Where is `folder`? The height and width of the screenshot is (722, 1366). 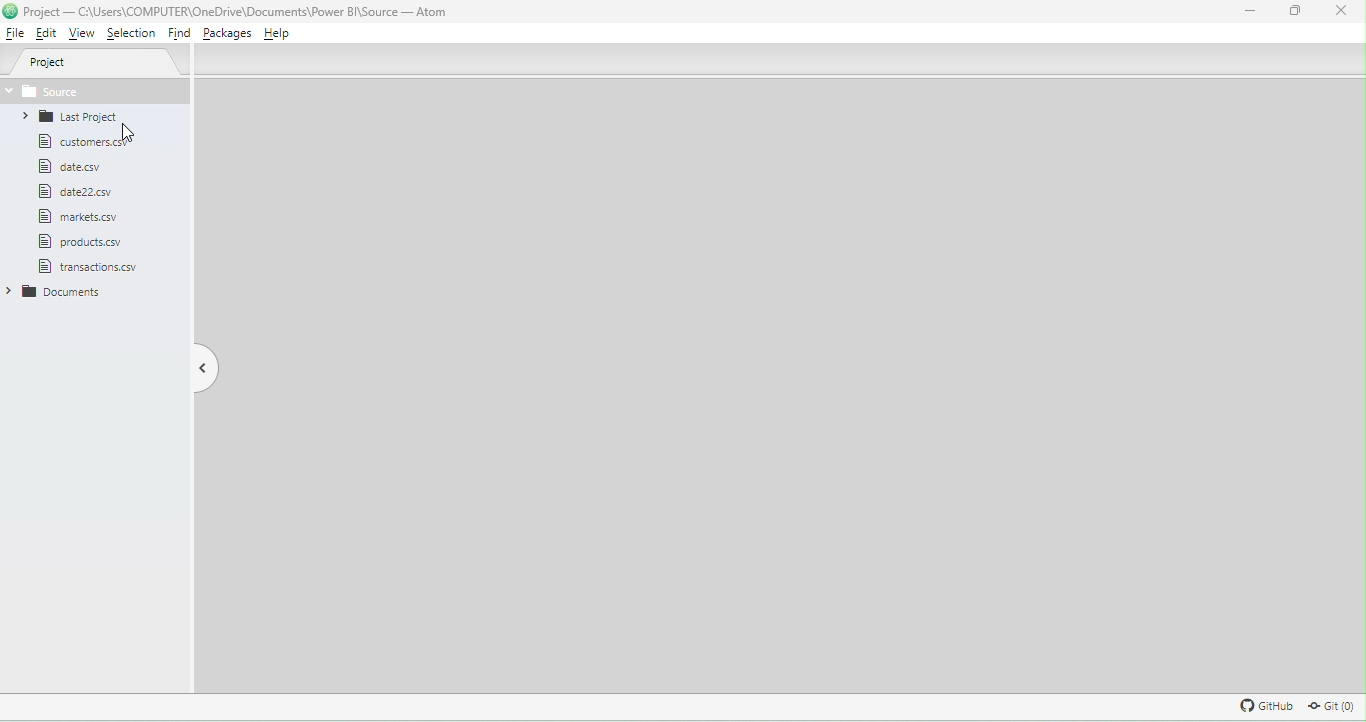
folder is located at coordinates (66, 295).